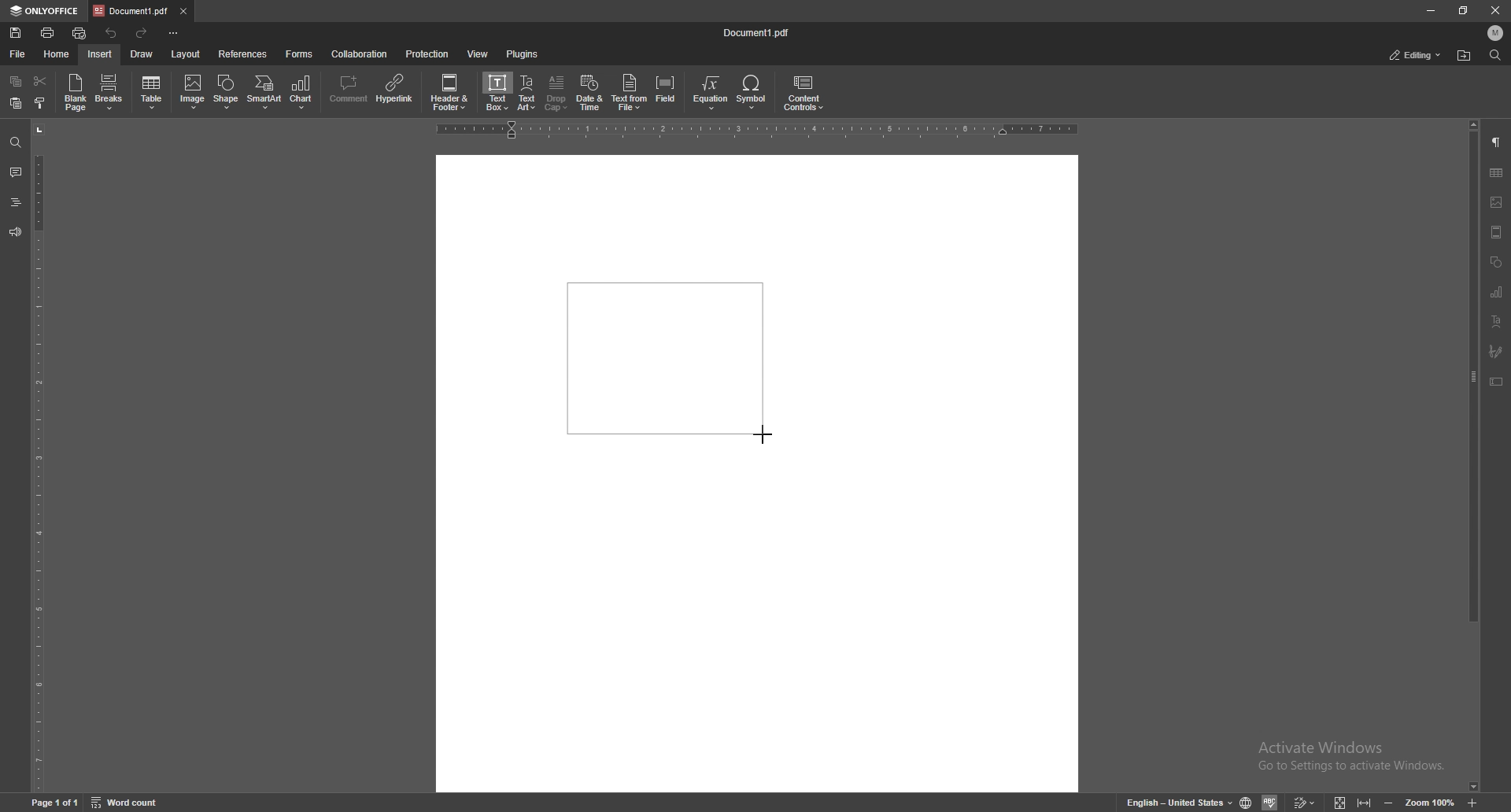  What do you see at coordinates (397, 89) in the screenshot?
I see `hyperlink` at bounding box center [397, 89].